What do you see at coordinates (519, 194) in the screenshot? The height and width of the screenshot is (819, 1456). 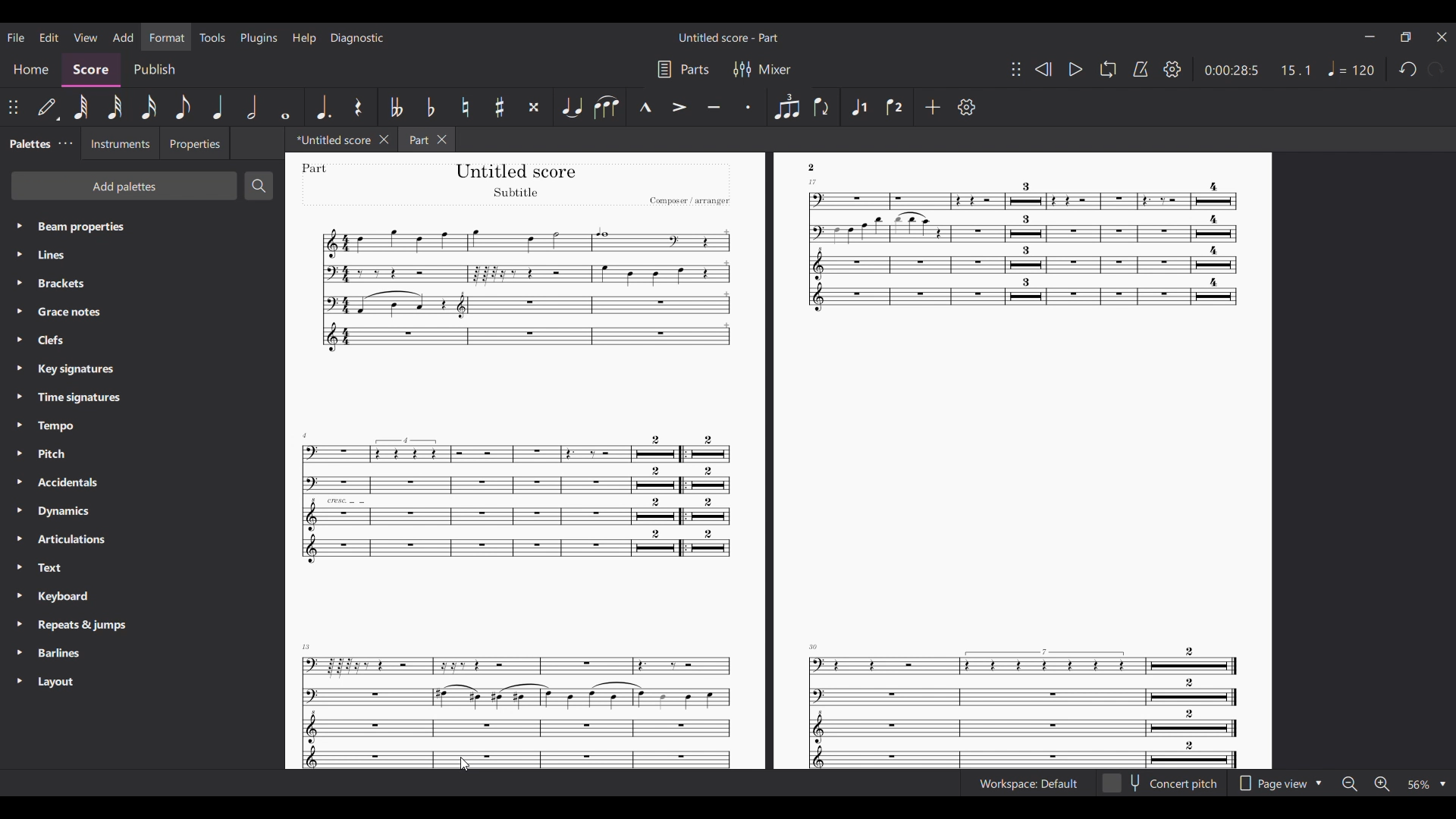 I see `` at bounding box center [519, 194].